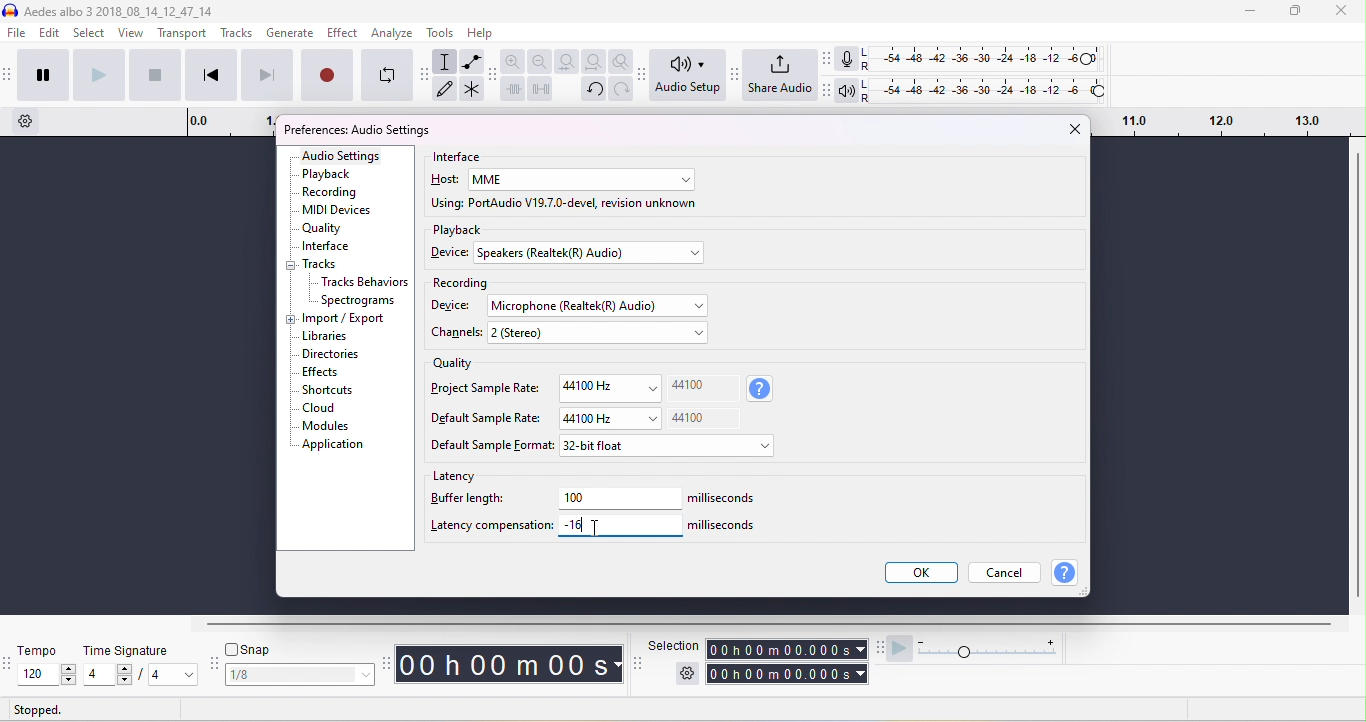  I want to click on Default sample rate:, so click(487, 418).